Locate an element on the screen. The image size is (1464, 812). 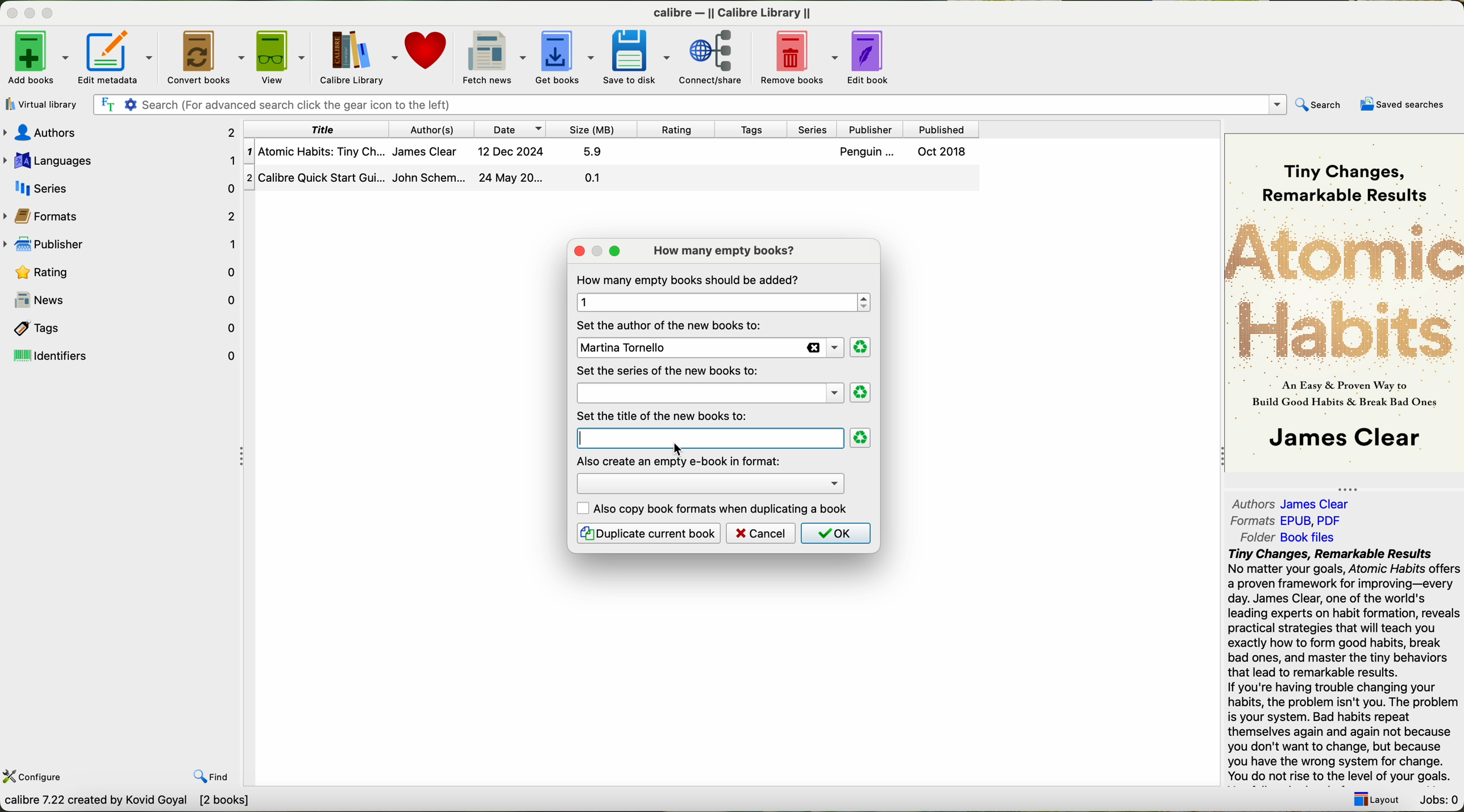
saved searches is located at coordinates (1401, 104).